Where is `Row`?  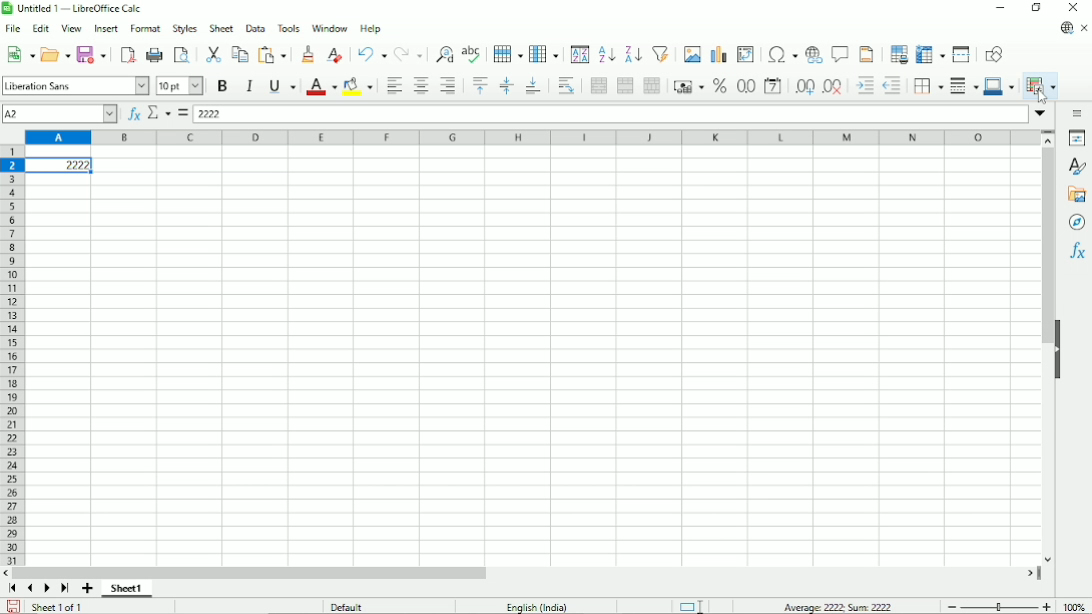
Row is located at coordinates (508, 54).